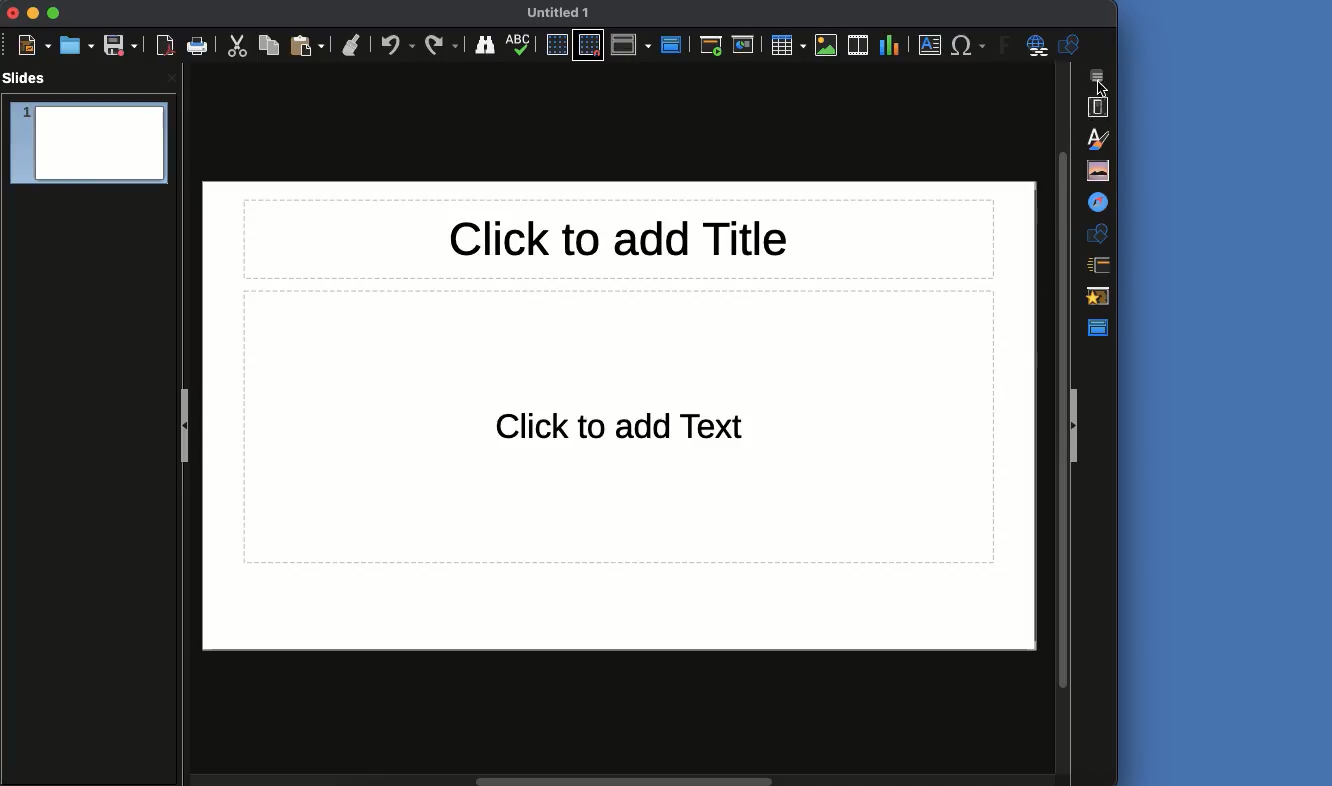 The height and width of the screenshot is (786, 1332). Describe the element at coordinates (620, 427) in the screenshot. I see `Text` at that location.